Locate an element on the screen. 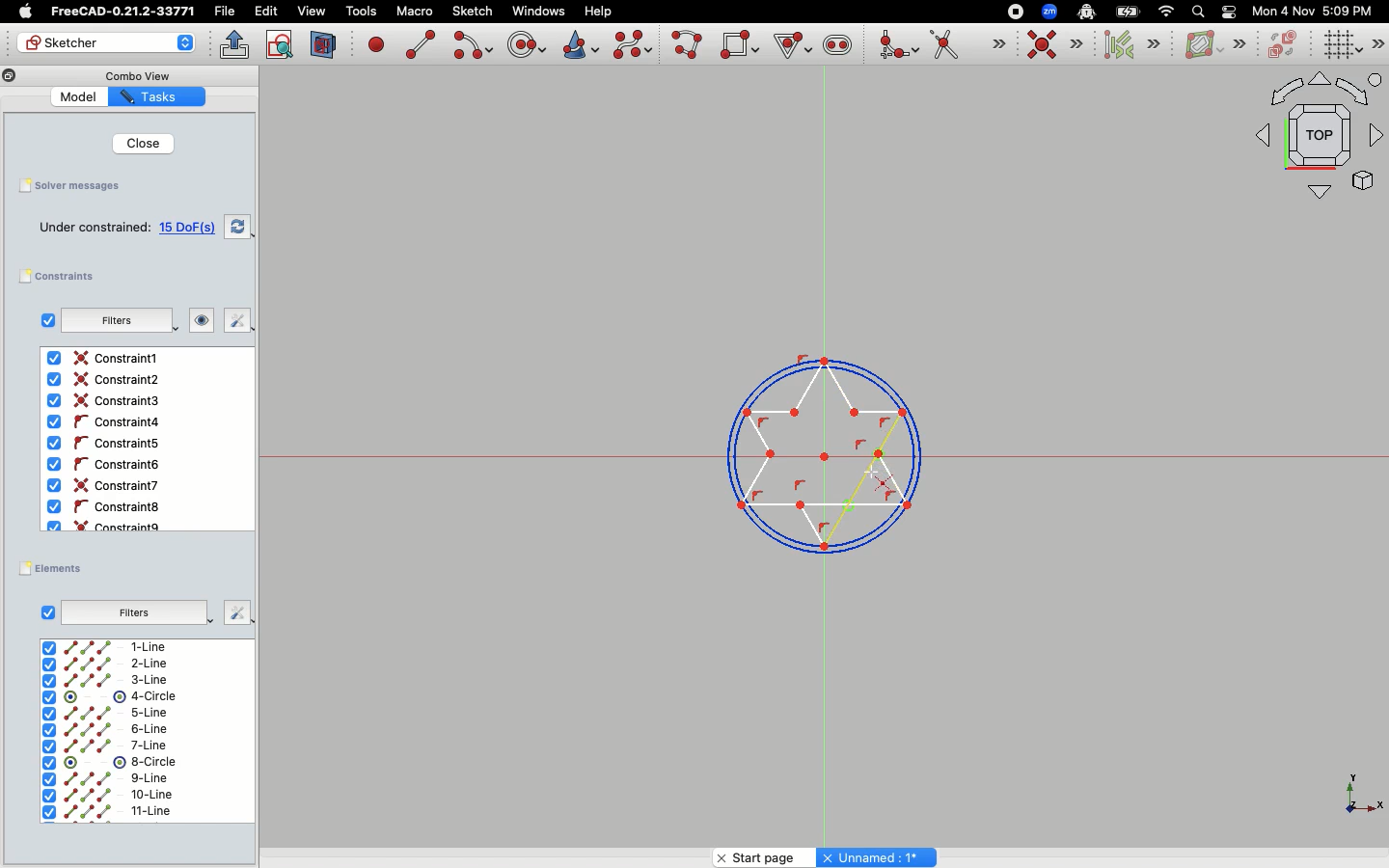  Filters is located at coordinates (114, 320).